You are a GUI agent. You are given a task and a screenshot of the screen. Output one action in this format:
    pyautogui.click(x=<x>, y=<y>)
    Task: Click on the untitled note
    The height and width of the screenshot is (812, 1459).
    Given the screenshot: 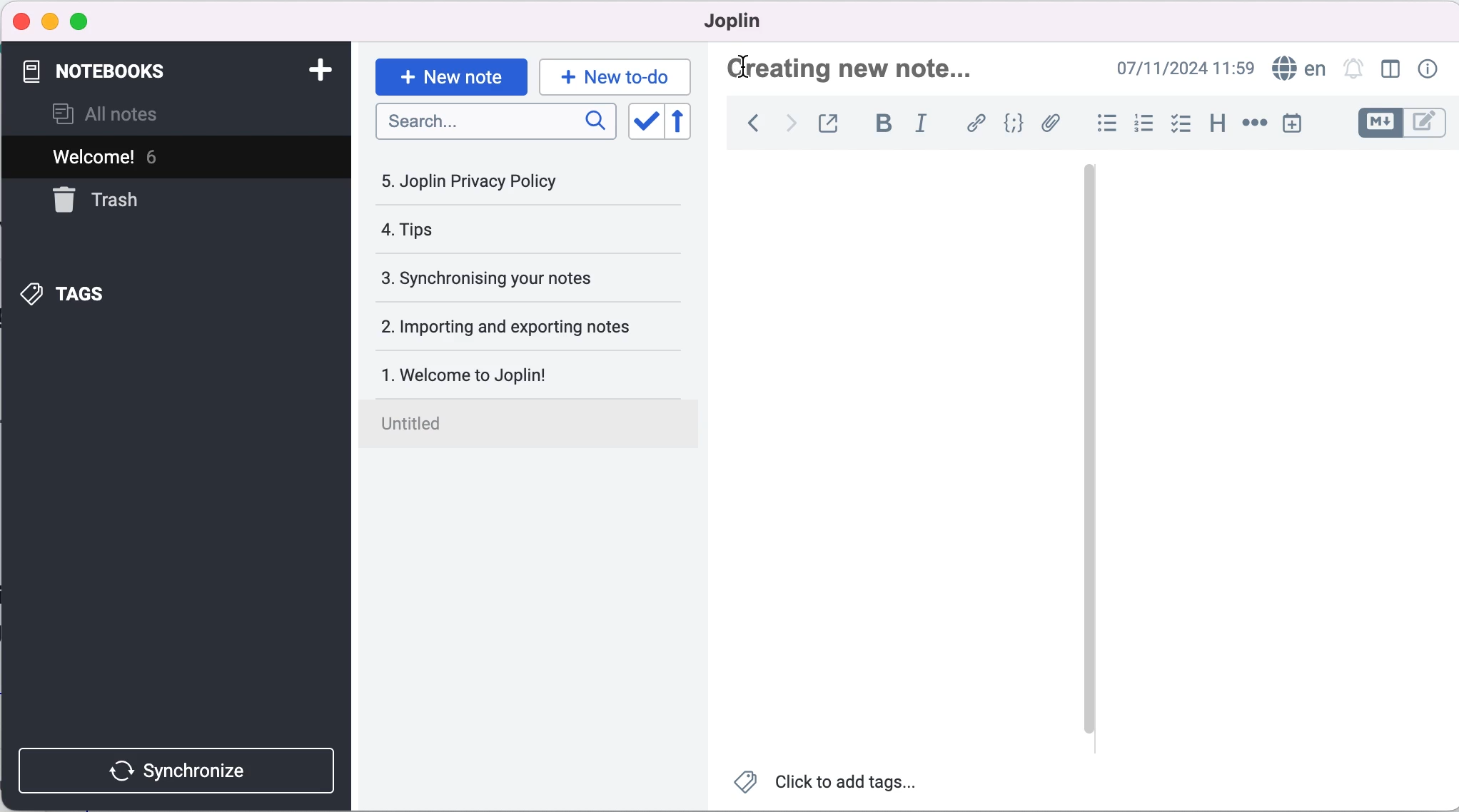 What is the action you would take?
    pyautogui.click(x=537, y=426)
    